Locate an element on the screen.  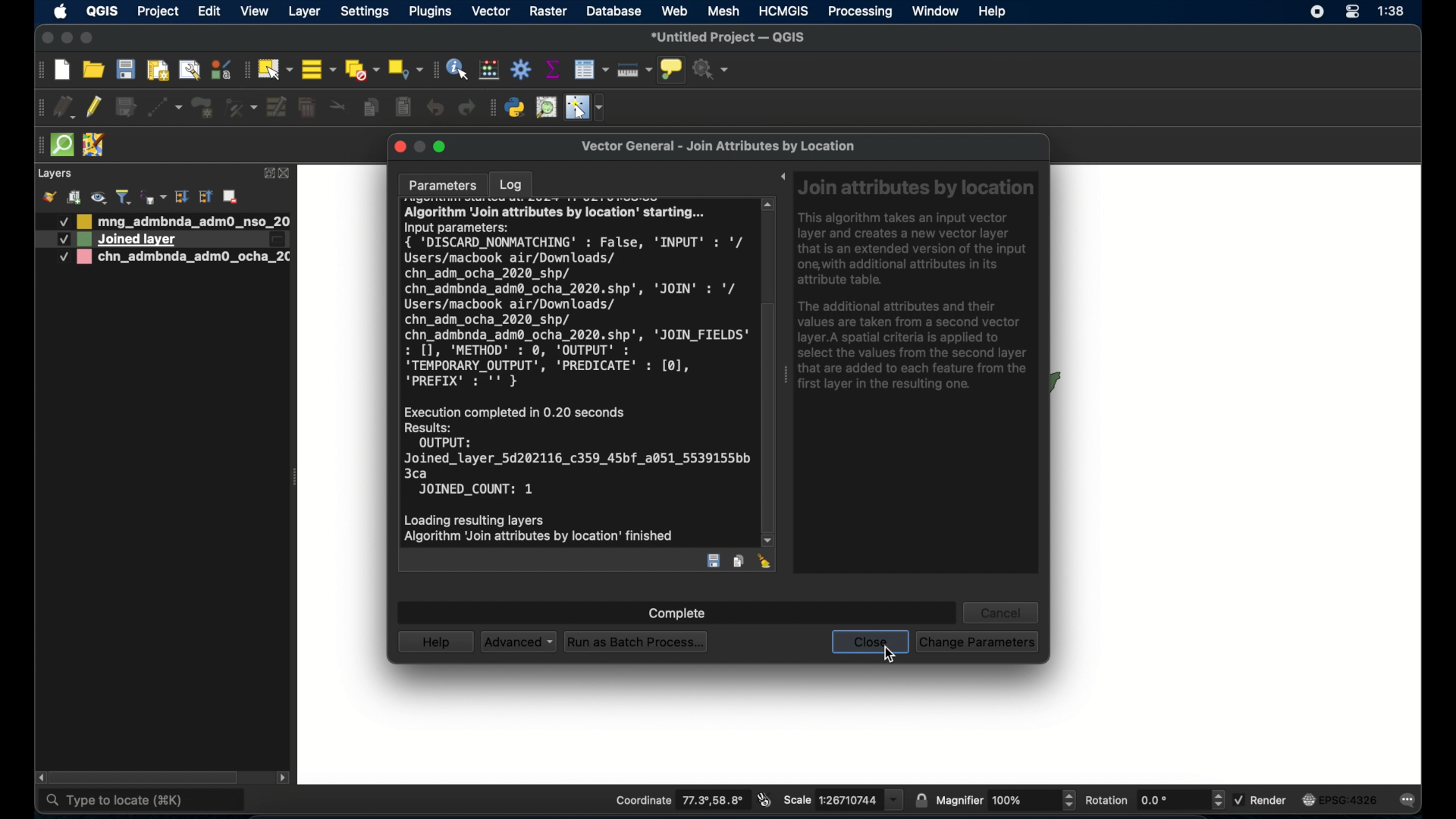
project is located at coordinates (156, 13).